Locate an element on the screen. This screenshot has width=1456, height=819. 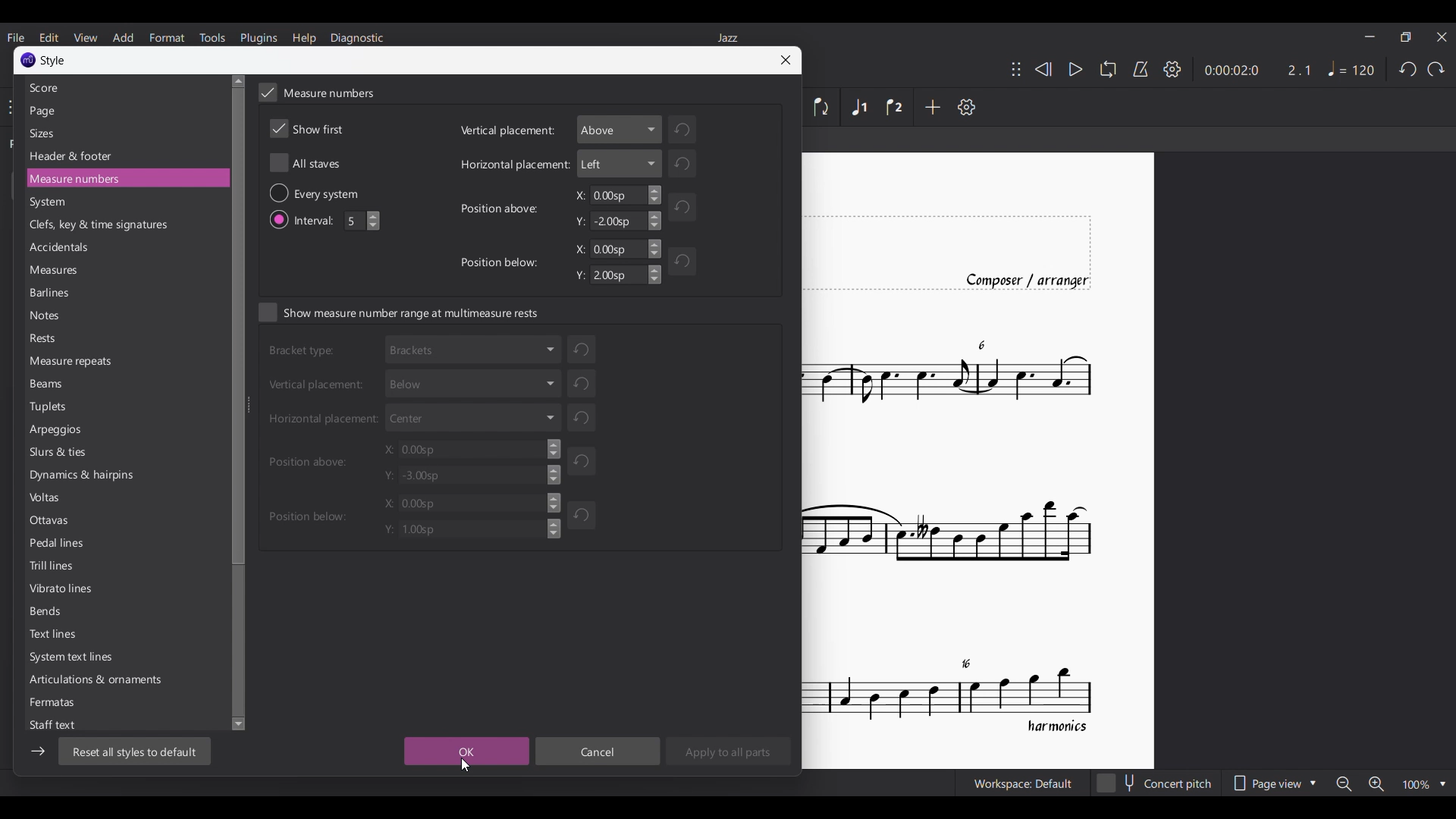
Setting options under Styles is located at coordinates (80, 87).